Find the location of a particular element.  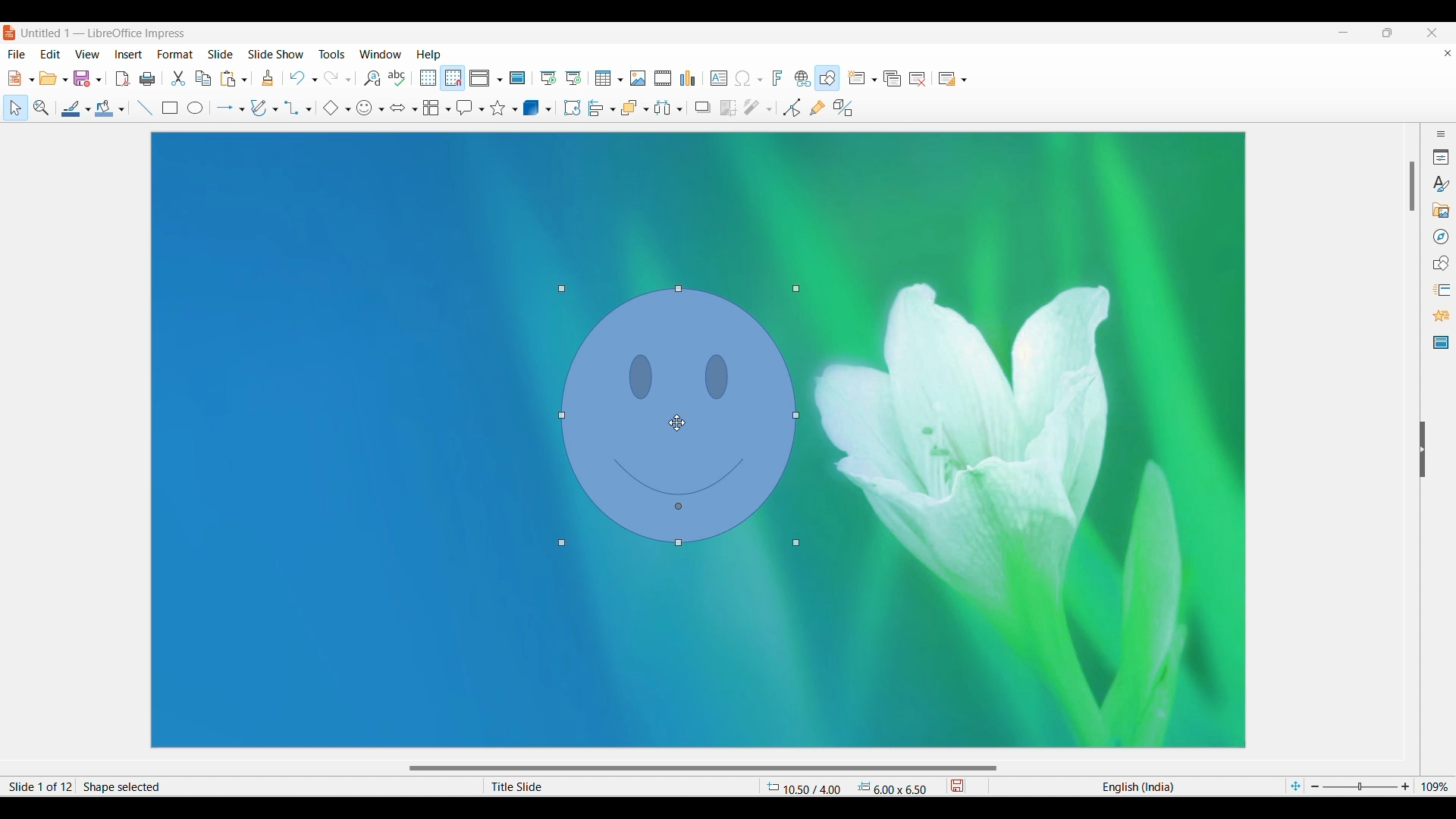

Selected basic shape is located at coordinates (331, 108).